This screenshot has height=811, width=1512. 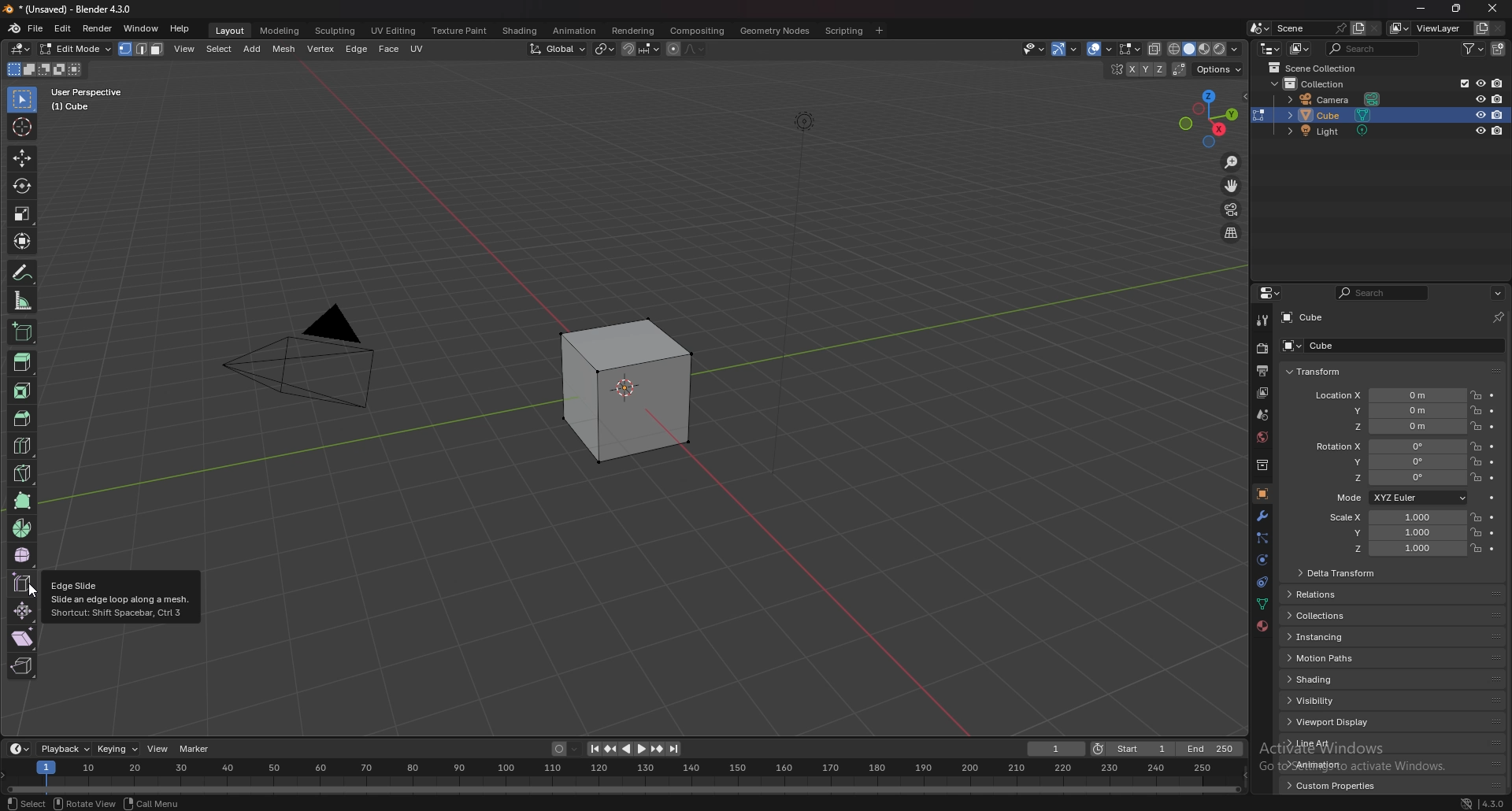 What do you see at coordinates (1498, 292) in the screenshot?
I see `options` at bounding box center [1498, 292].